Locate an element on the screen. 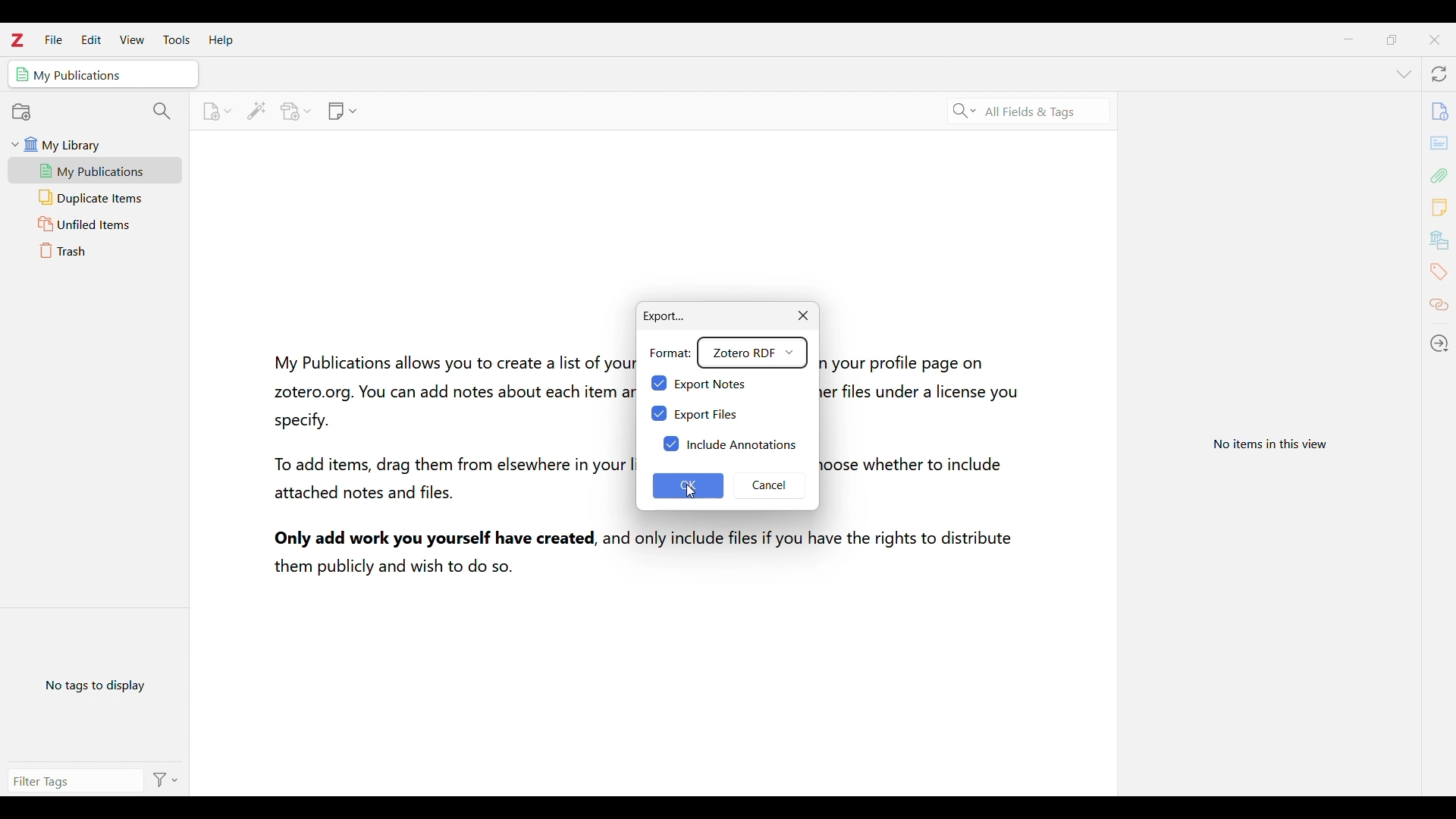 The width and height of the screenshot is (1456, 819). Options to add attachment  is located at coordinates (297, 111).